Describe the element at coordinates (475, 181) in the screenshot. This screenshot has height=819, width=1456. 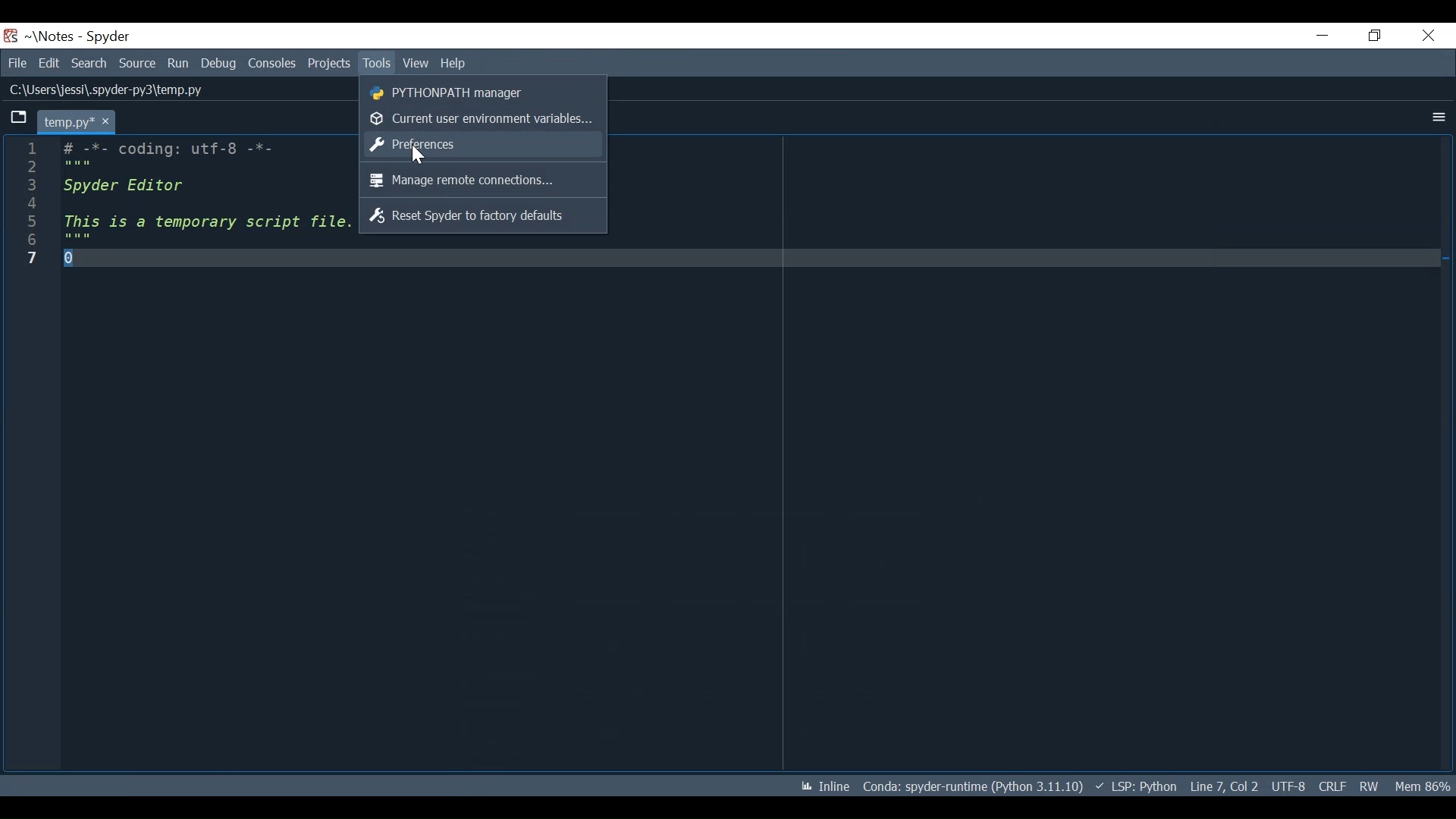
I see `Manage remote connections` at that location.